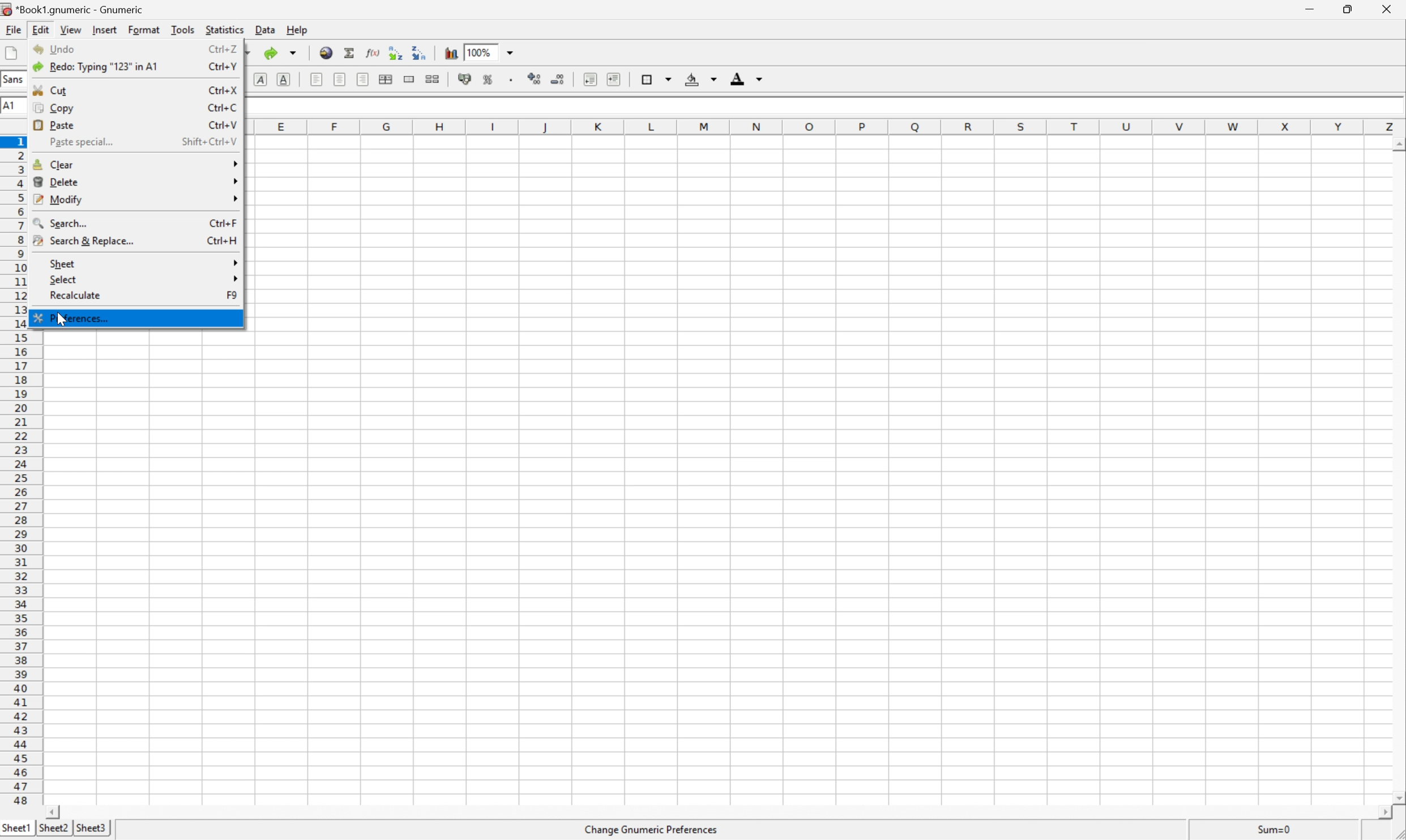  I want to click on copy  ctrl+c, so click(136, 106).